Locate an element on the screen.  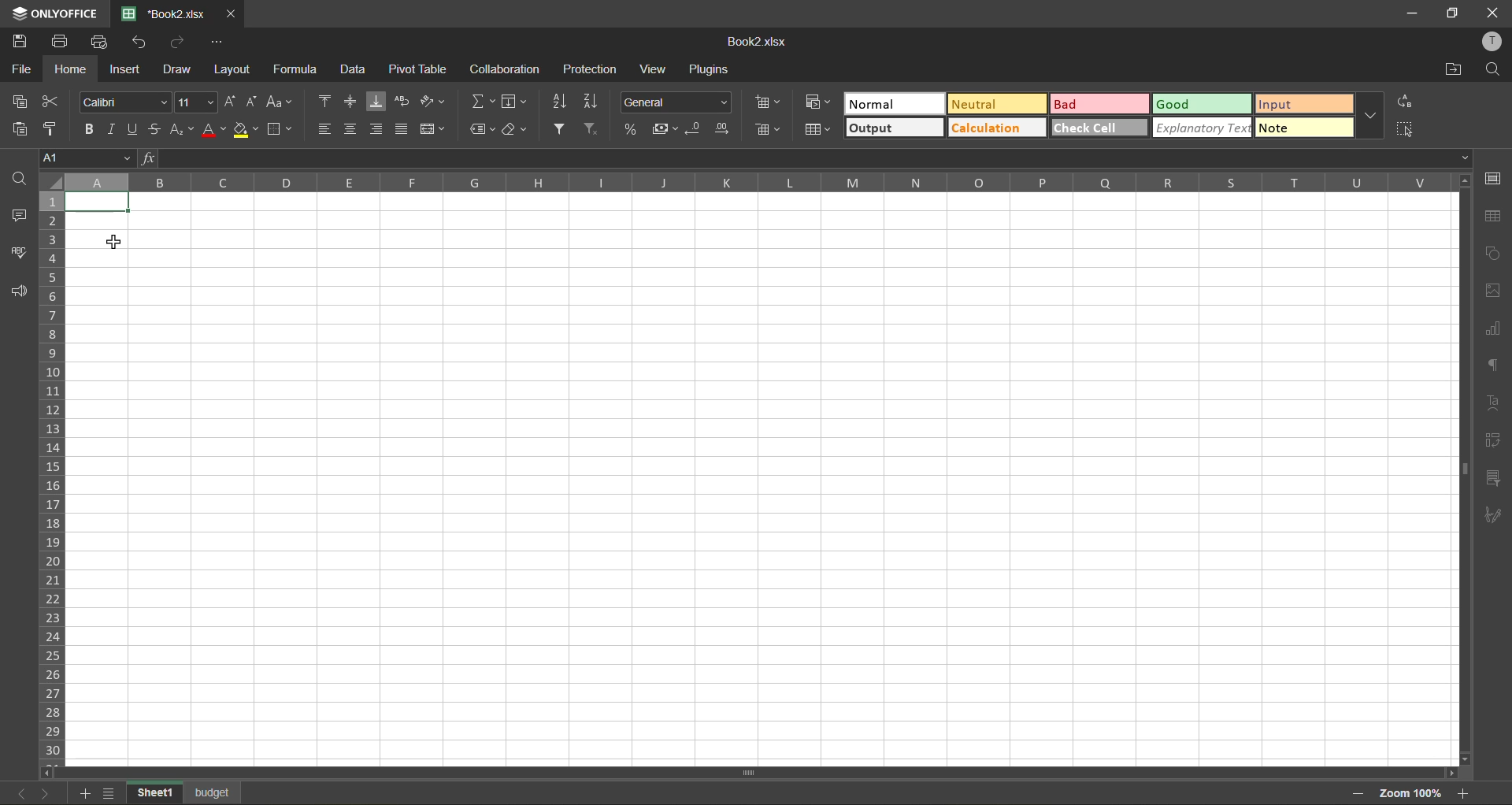
cell address is located at coordinates (89, 158).